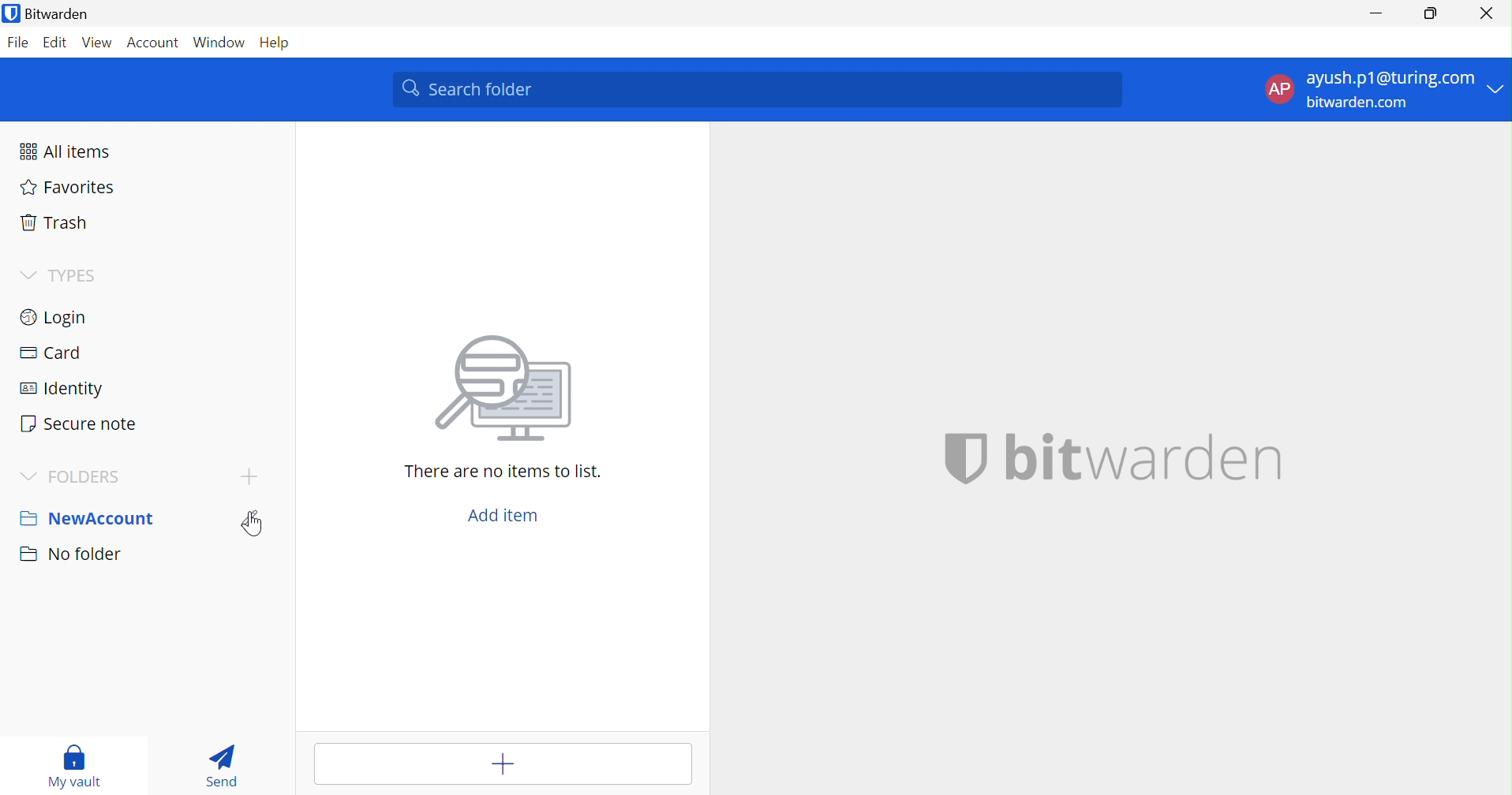  I want to click on Add item, so click(501, 763).